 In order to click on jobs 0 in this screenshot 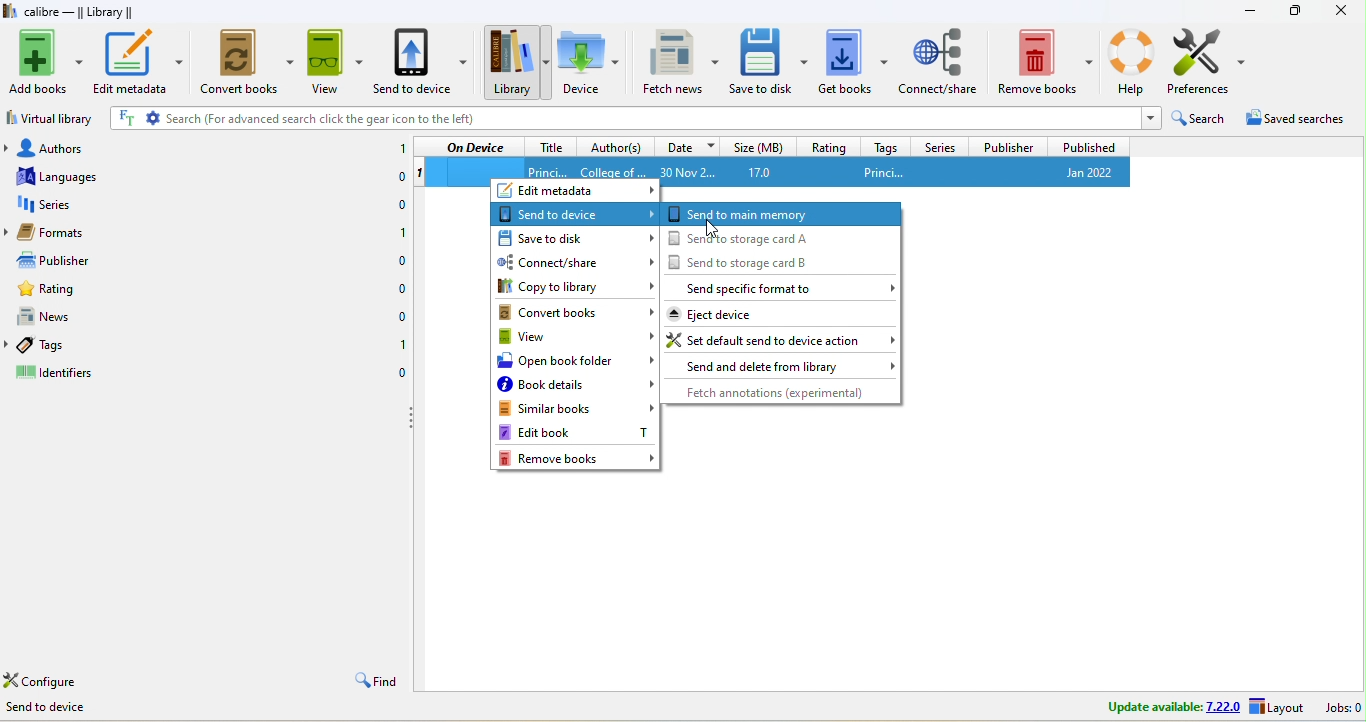, I will do `click(1340, 708)`.